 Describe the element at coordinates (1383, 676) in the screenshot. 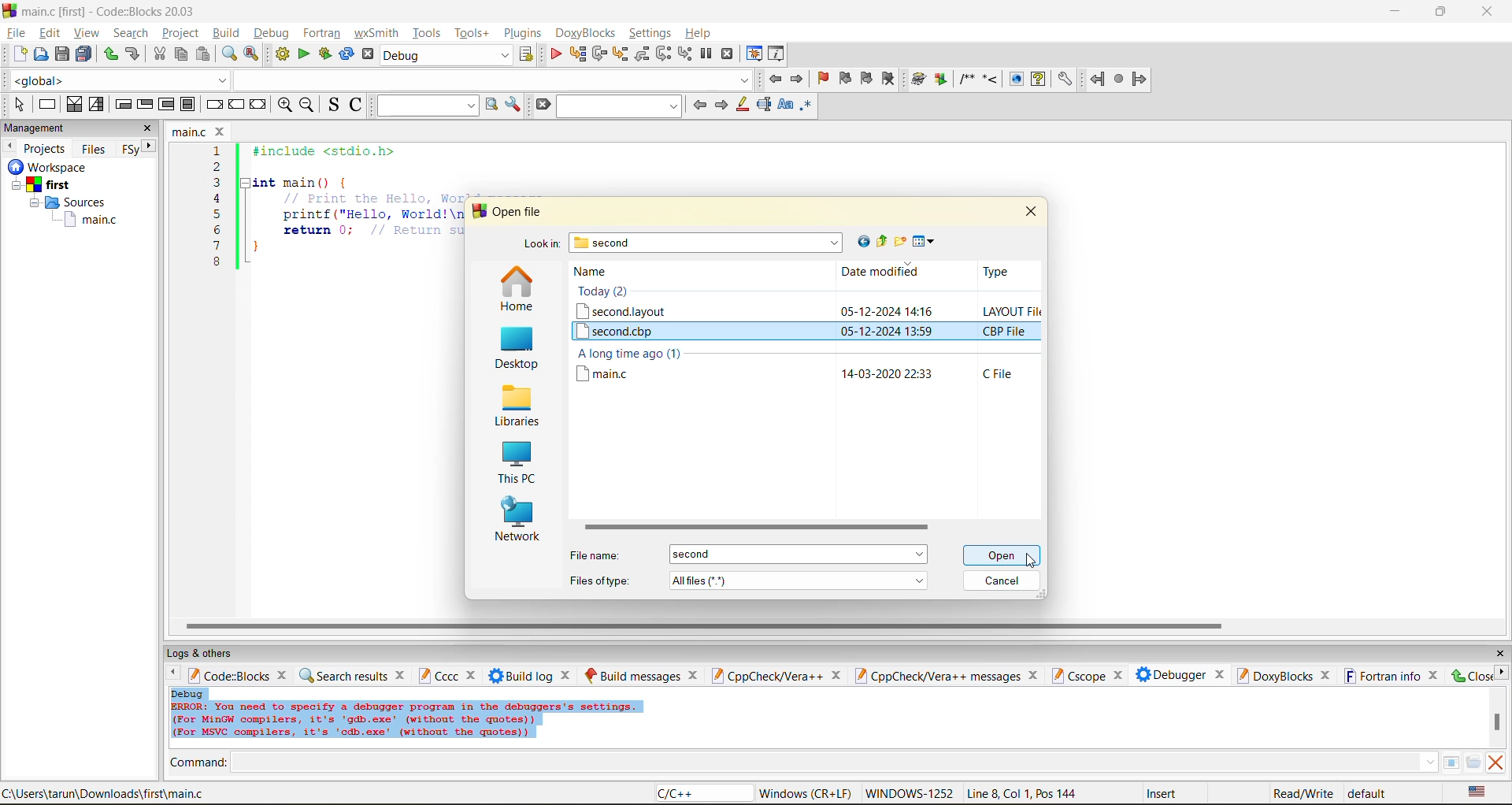

I see `fortran info` at that location.